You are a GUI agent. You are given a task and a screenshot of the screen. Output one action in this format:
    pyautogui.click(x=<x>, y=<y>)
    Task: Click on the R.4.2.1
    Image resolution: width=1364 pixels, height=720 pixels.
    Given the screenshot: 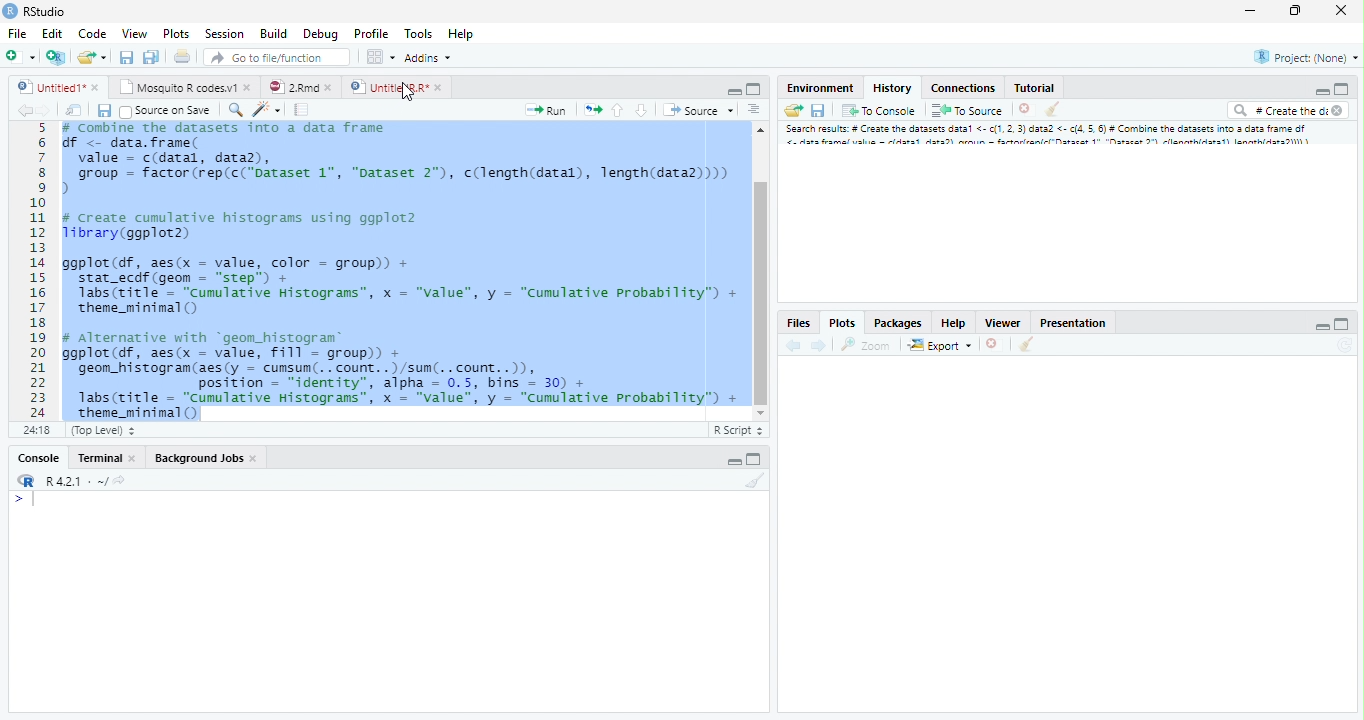 What is the action you would take?
    pyautogui.click(x=65, y=481)
    